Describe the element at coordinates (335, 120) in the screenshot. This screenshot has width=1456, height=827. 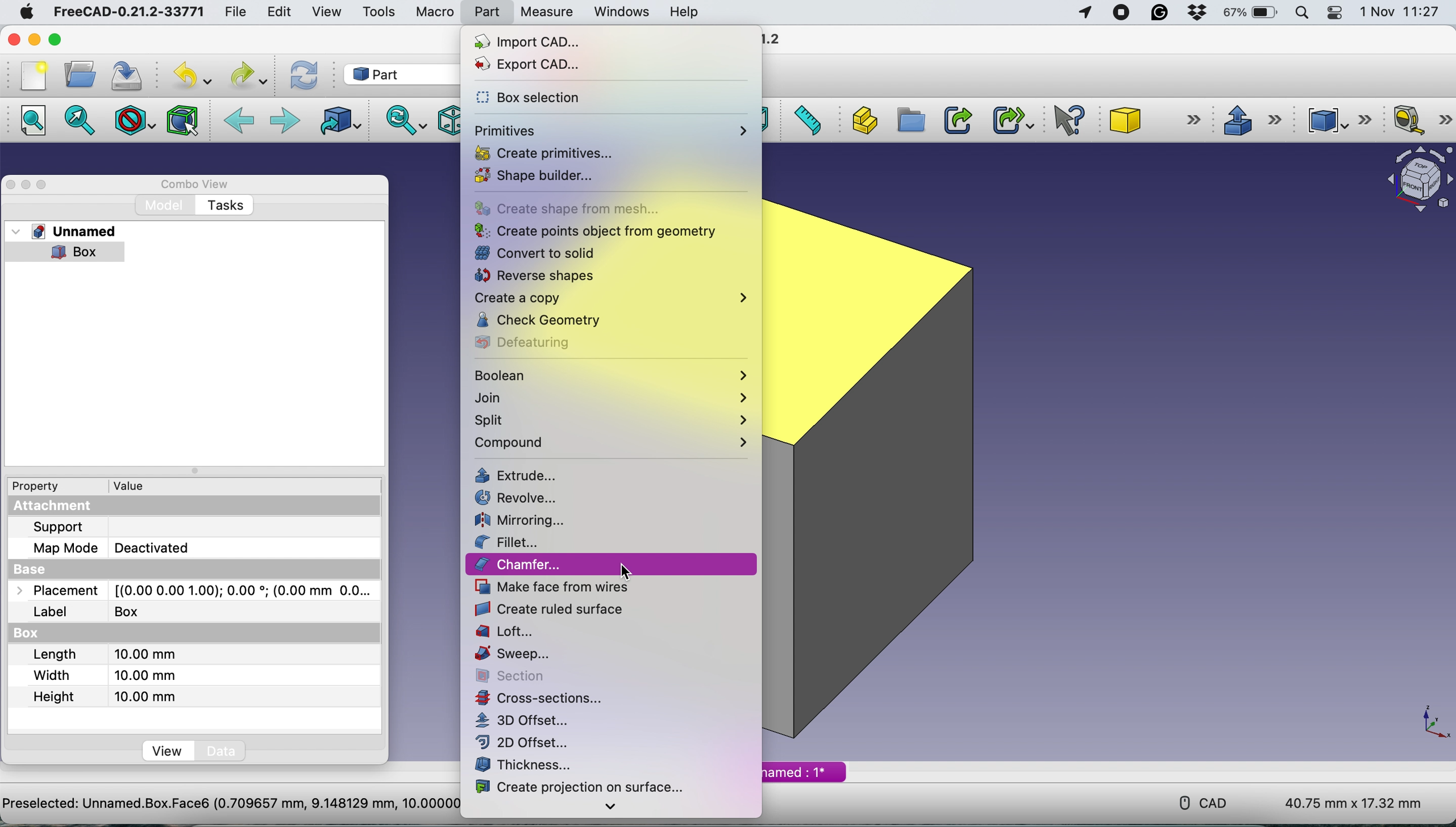
I see `go to linked object` at that location.